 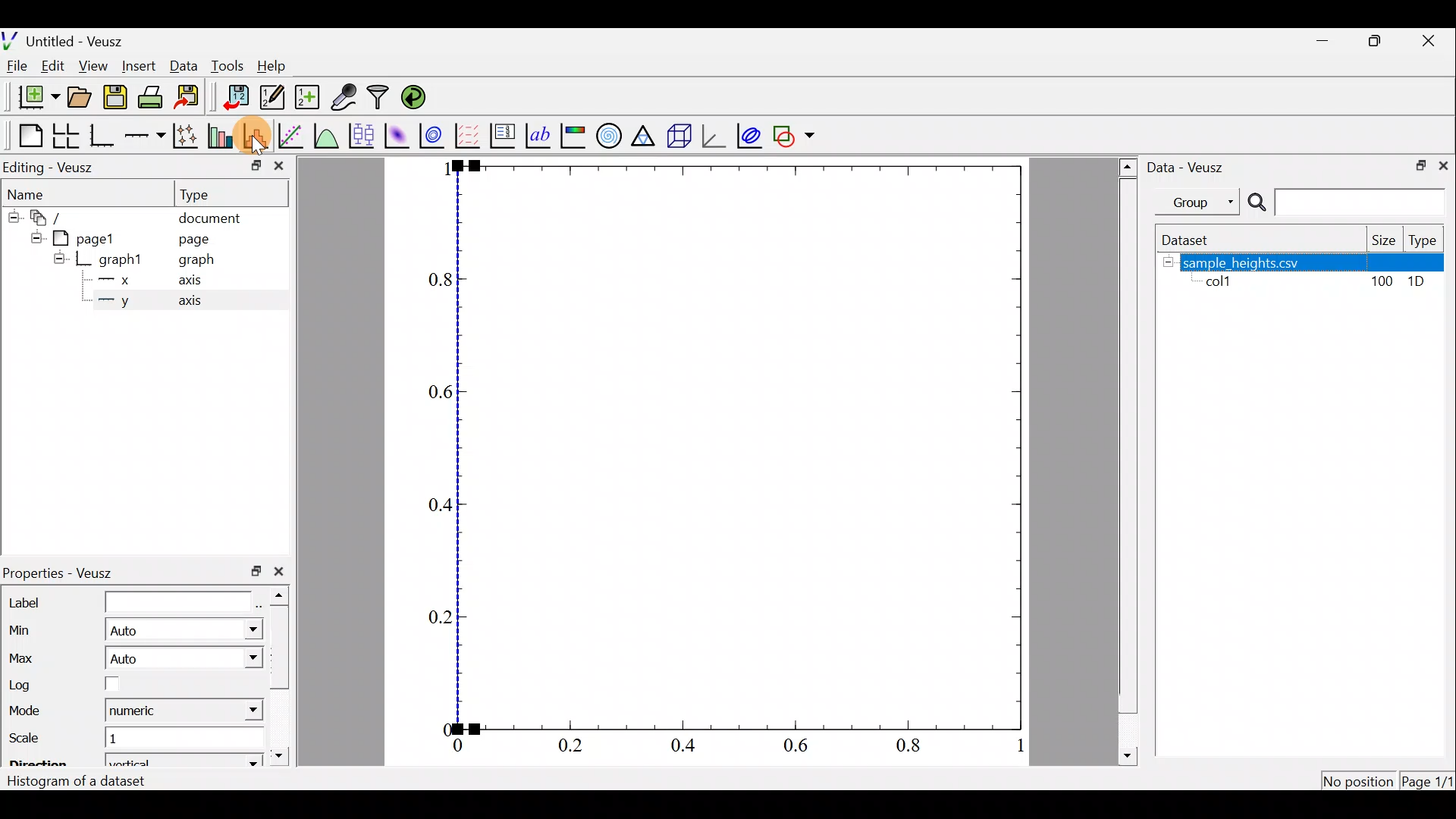 What do you see at coordinates (1419, 166) in the screenshot?
I see `restore down` at bounding box center [1419, 166].